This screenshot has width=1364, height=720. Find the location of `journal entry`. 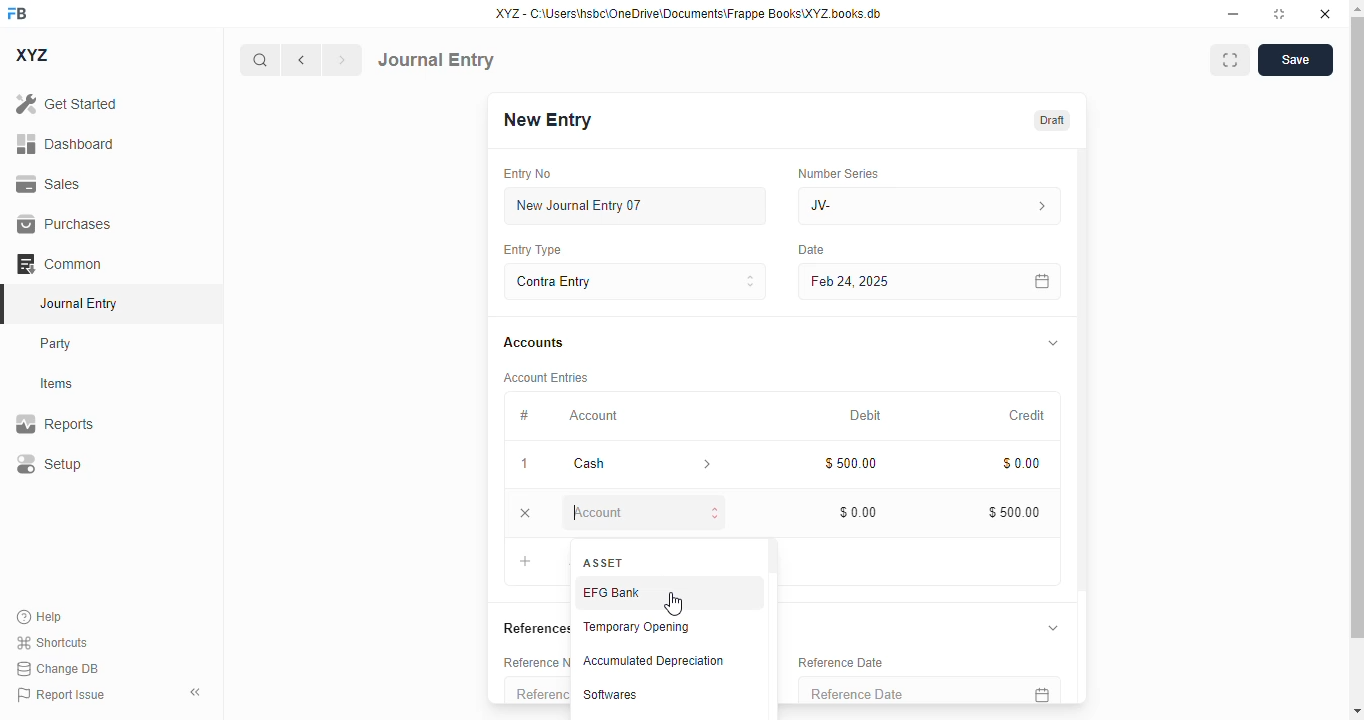

journal entry is located at coordinates (80, 303).